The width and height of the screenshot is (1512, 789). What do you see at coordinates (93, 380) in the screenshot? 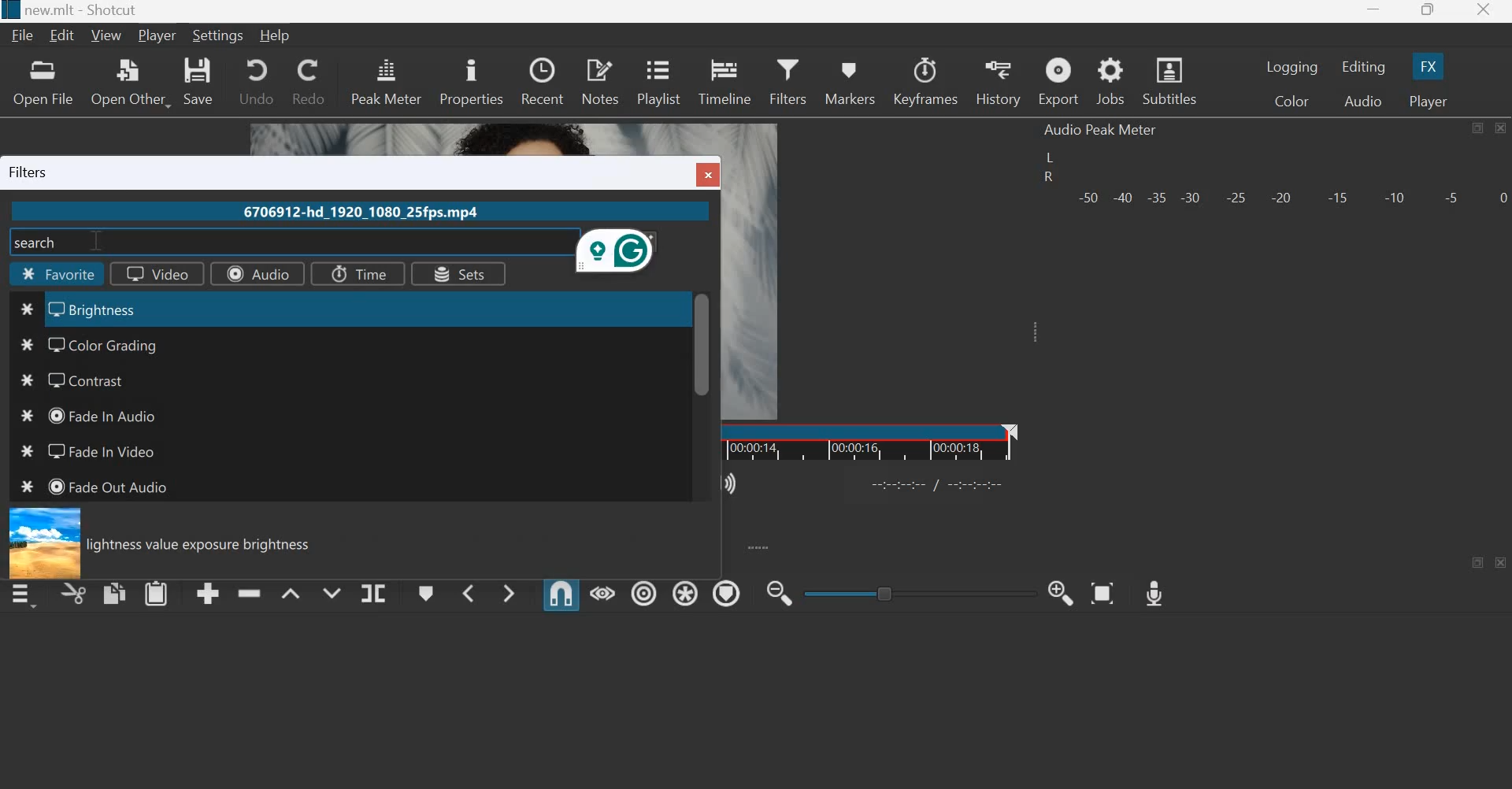
I see `Contrast` at bounding box center [93, 380].